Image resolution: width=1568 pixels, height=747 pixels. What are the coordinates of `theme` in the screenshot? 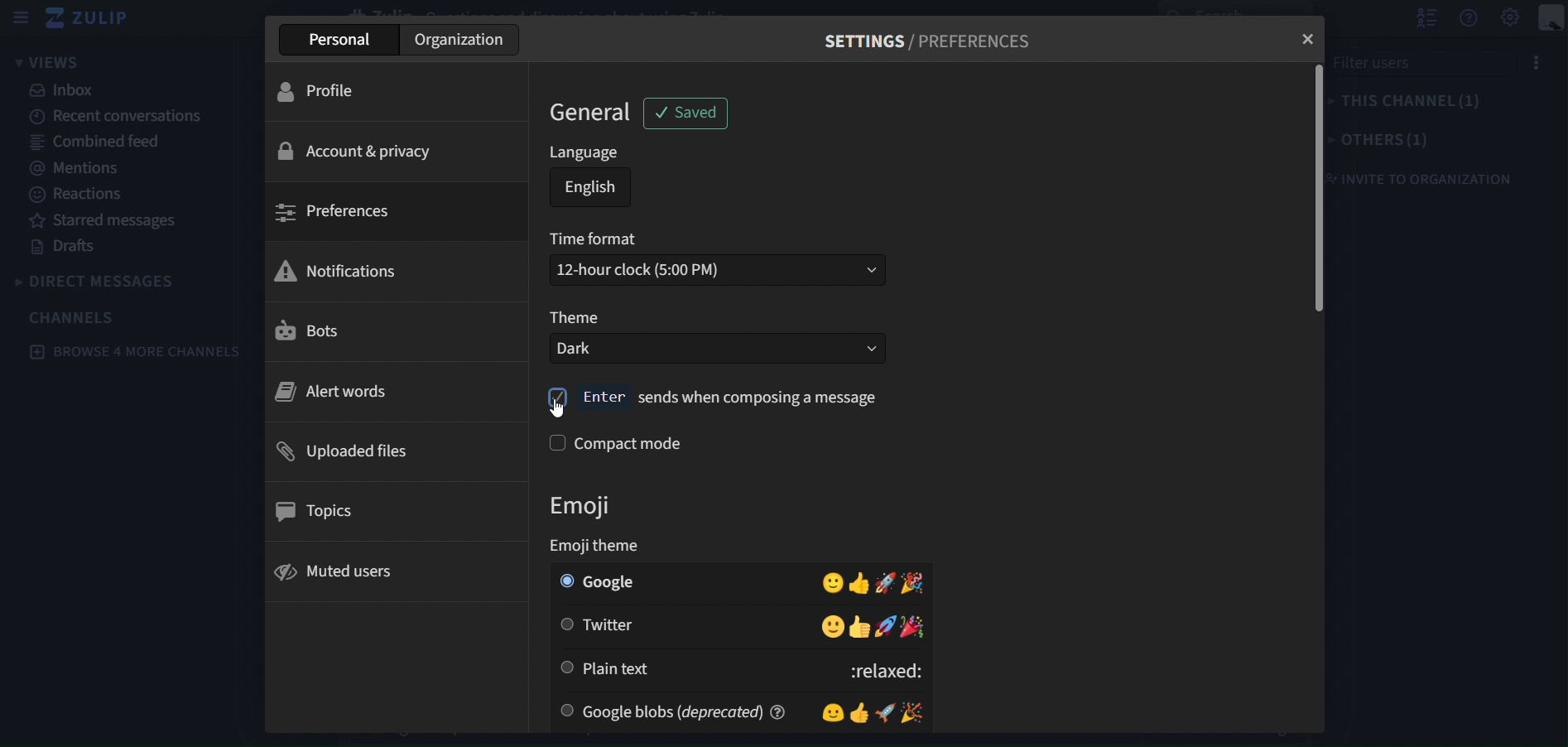 It's located at (578, 319).